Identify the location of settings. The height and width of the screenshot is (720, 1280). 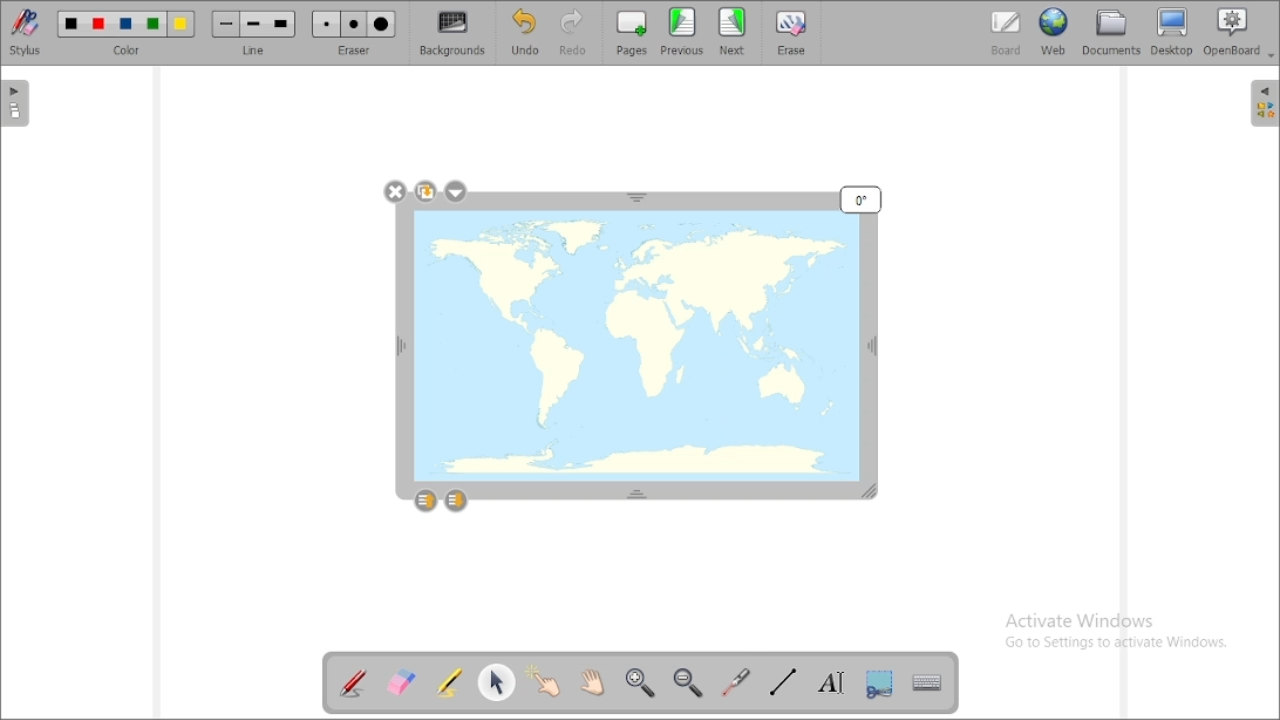
(455, 192).